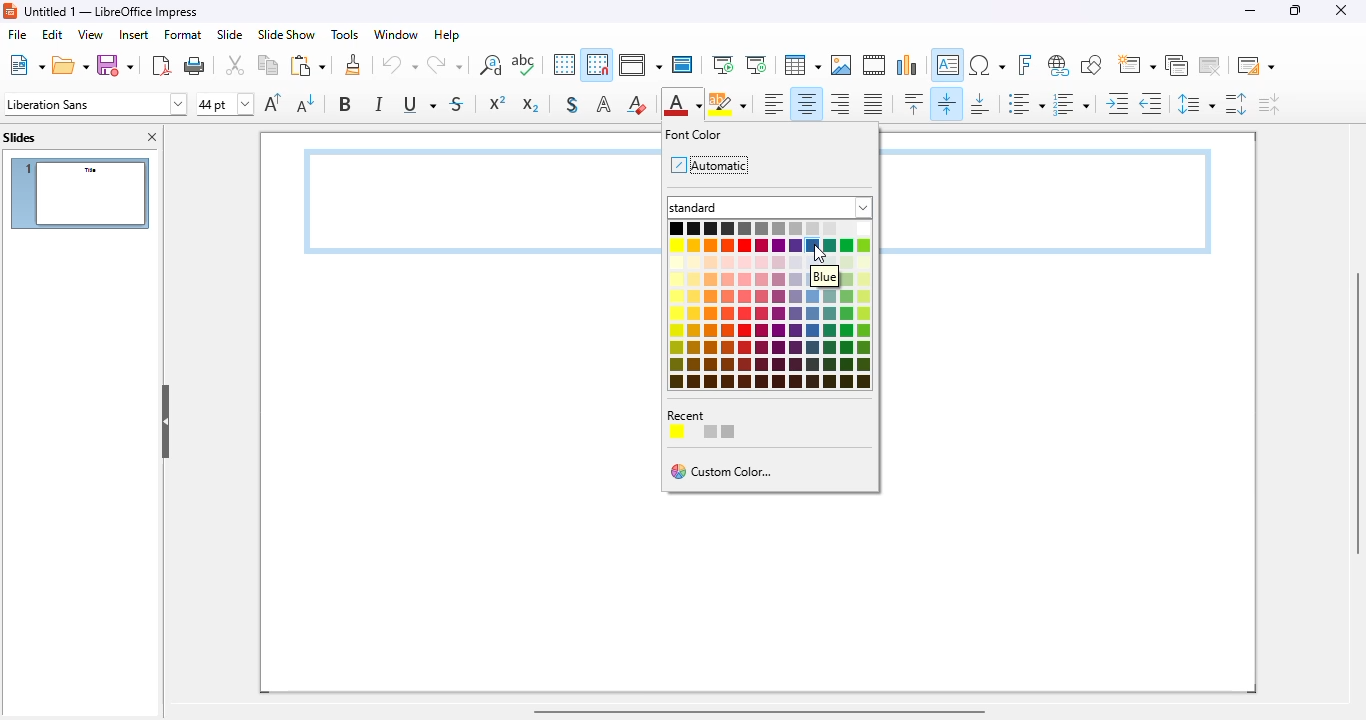  I want to click on maximize, so click(1296, 11).